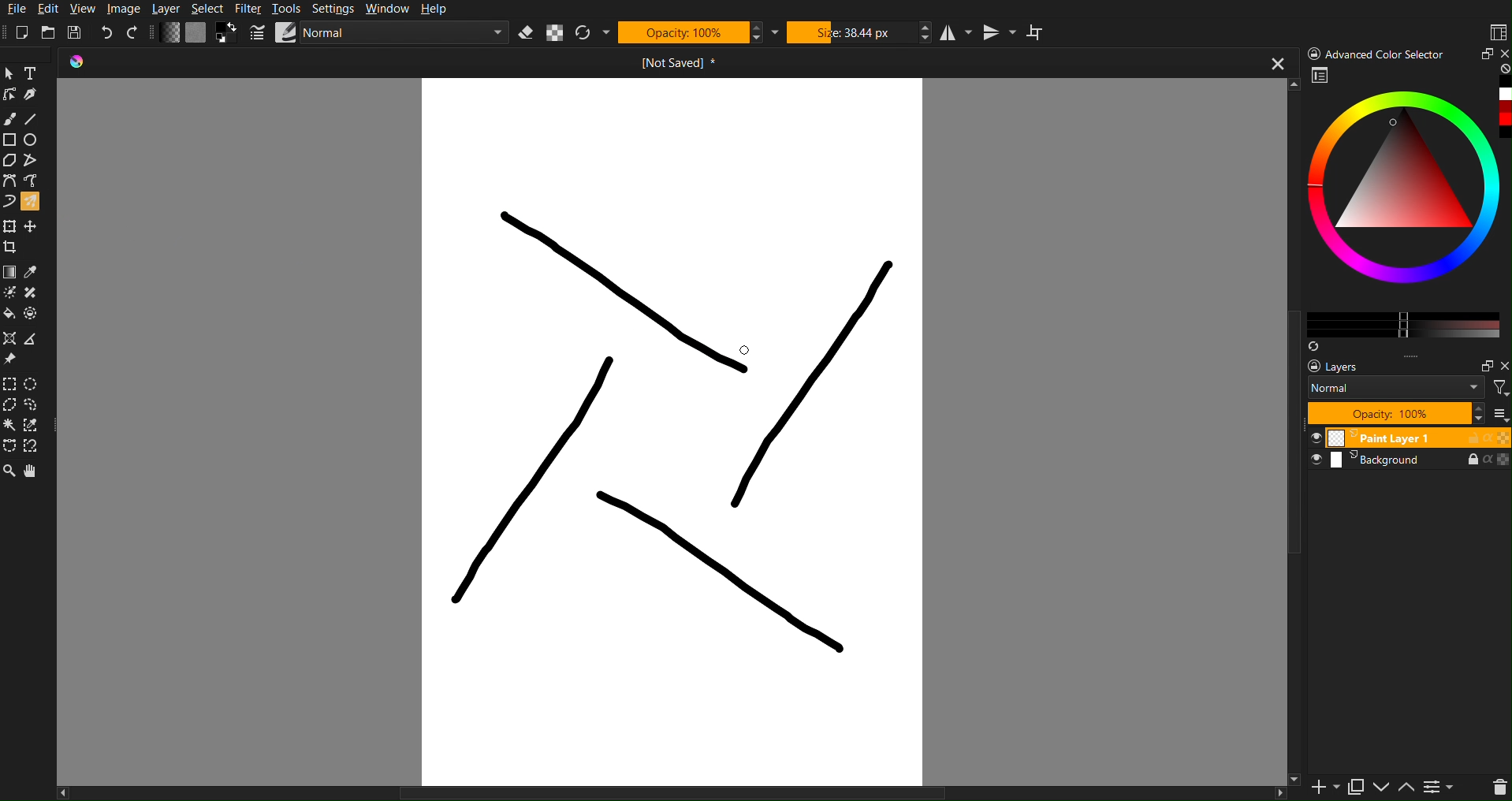 The width and height of the screenshot is (1512, 801). Describe the element at coordinates (107, 32) in the screenshot. I see `Undo` at that location.